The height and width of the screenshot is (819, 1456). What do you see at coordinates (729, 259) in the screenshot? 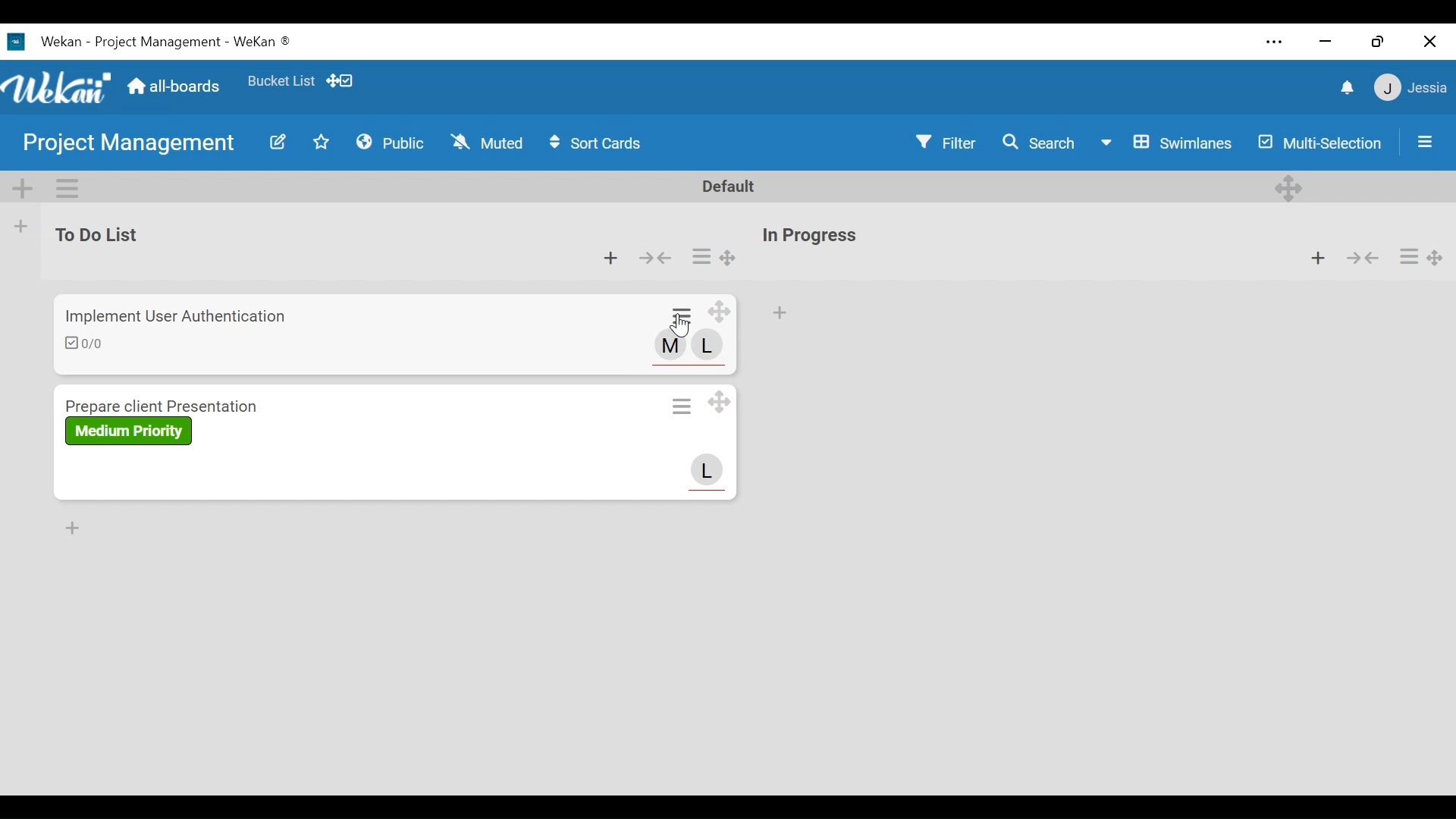
I see `Desktop drag handle` at bounding box center [729, 259].